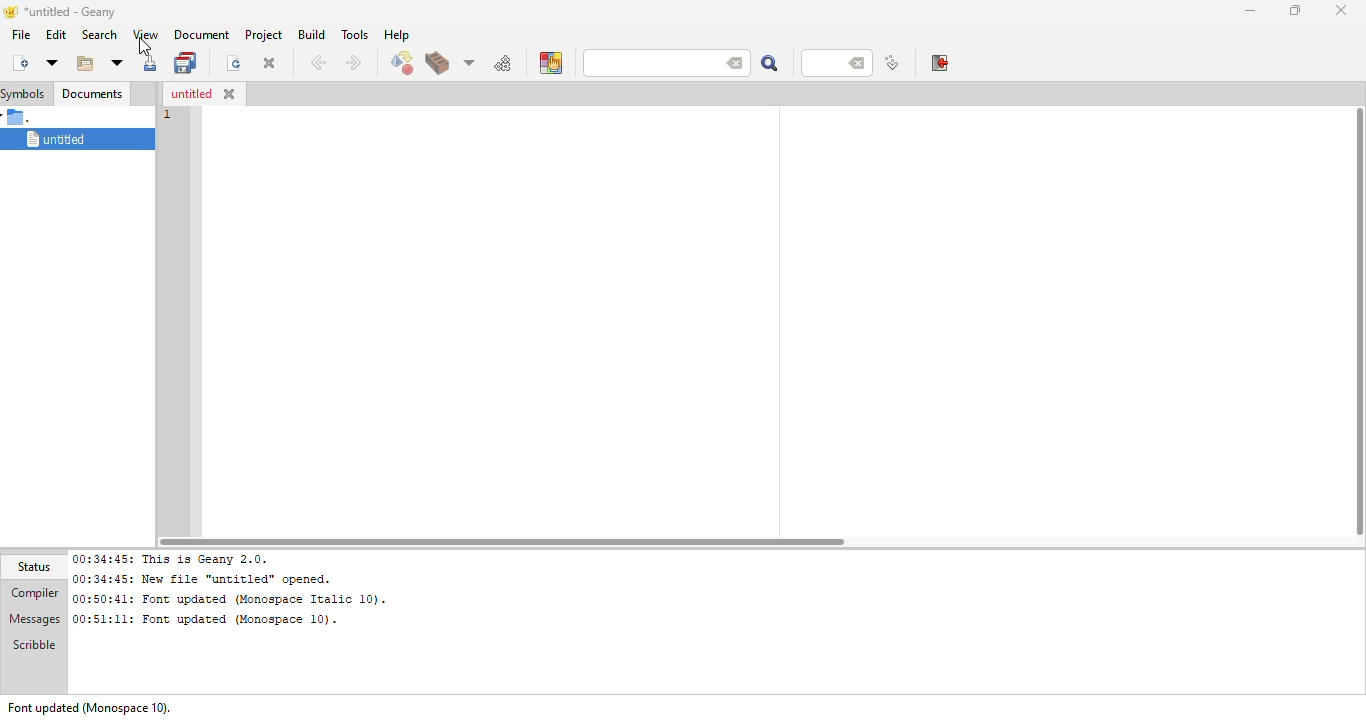 The image size is (1366, 720). Describe the element at coordinates (187, 61) in the screenshot. I see `save all` at that location.